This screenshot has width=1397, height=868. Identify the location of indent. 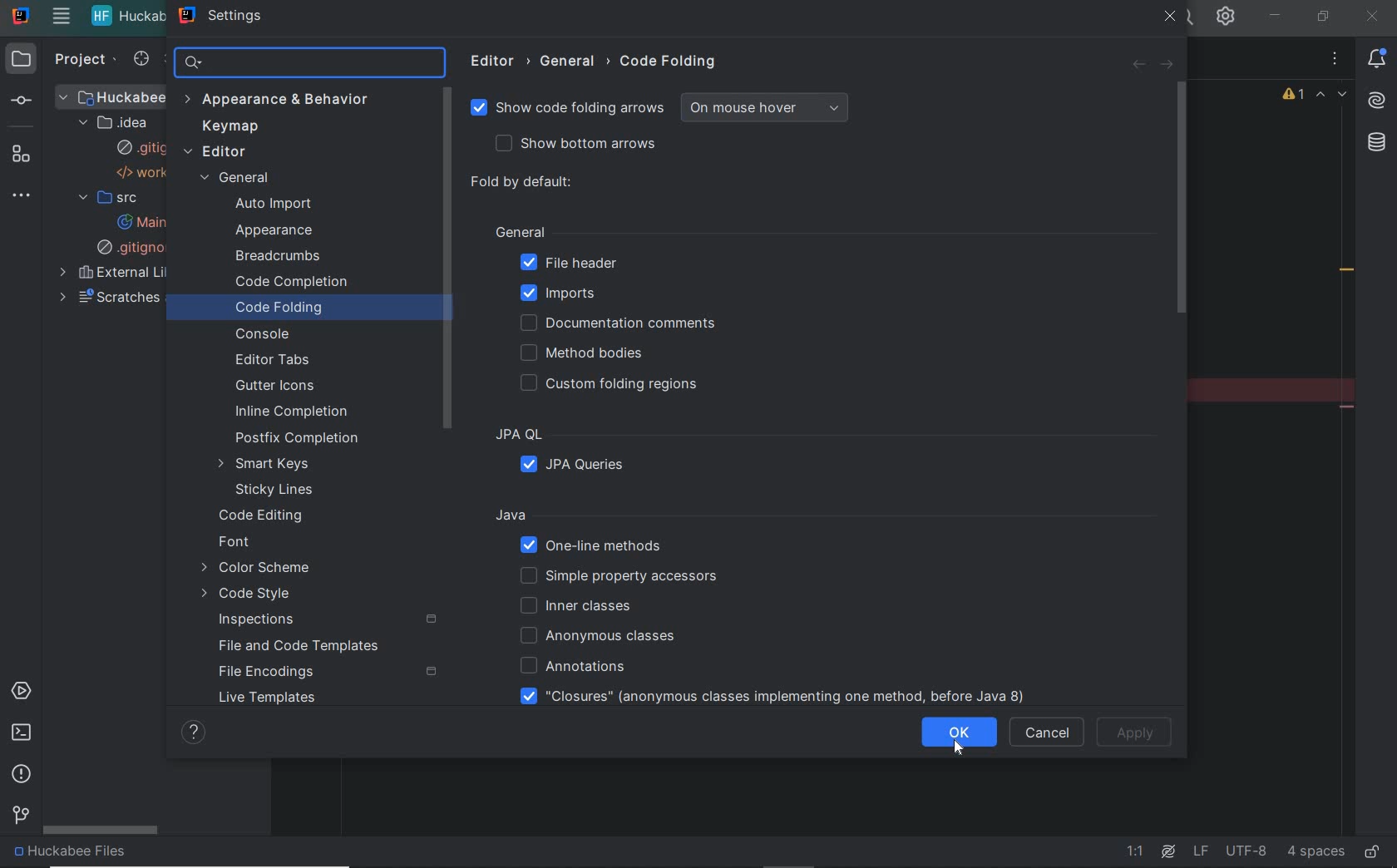
(1316, 851).